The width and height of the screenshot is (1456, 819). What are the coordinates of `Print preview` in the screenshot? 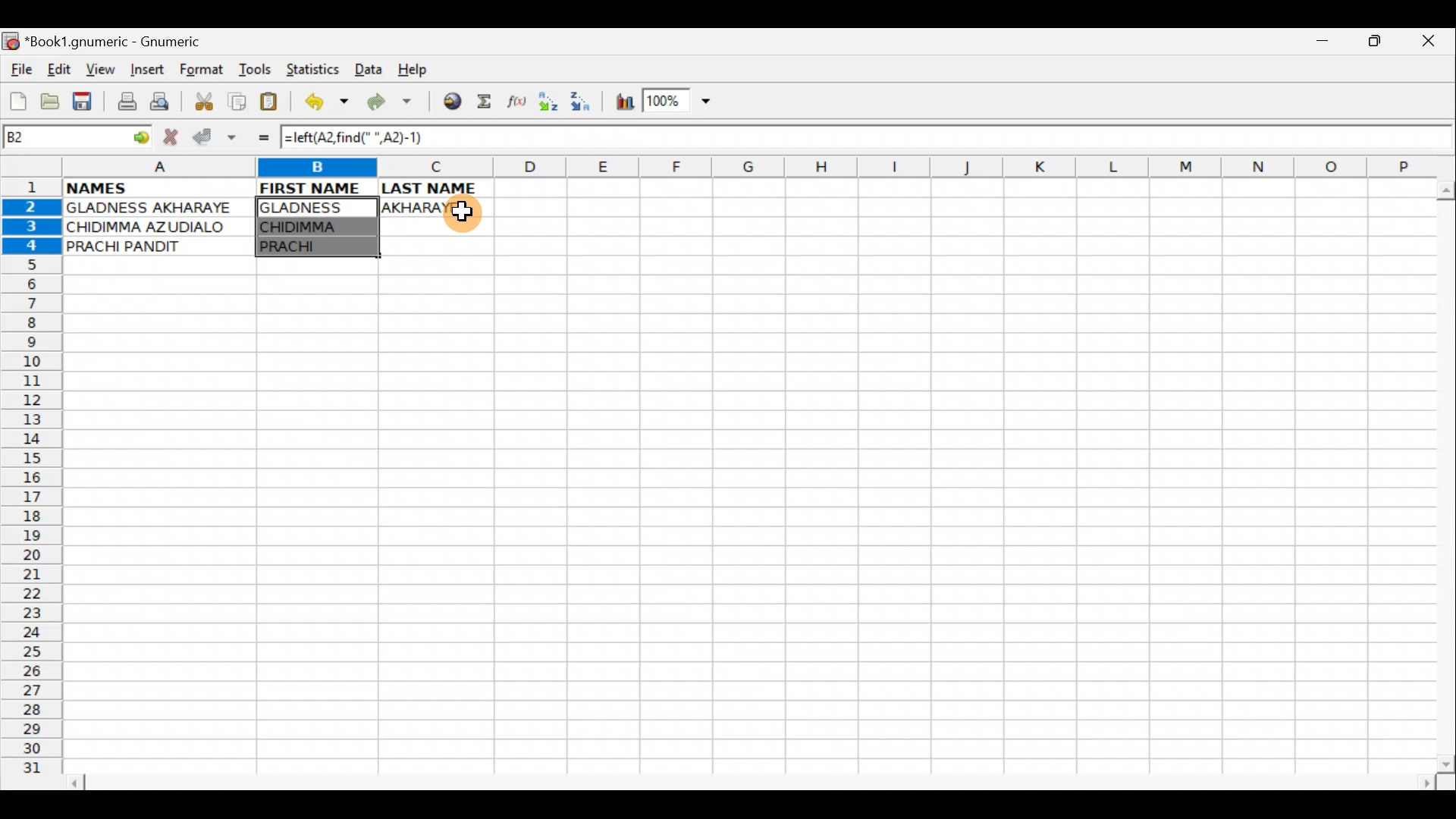 It's located at (160, 105).